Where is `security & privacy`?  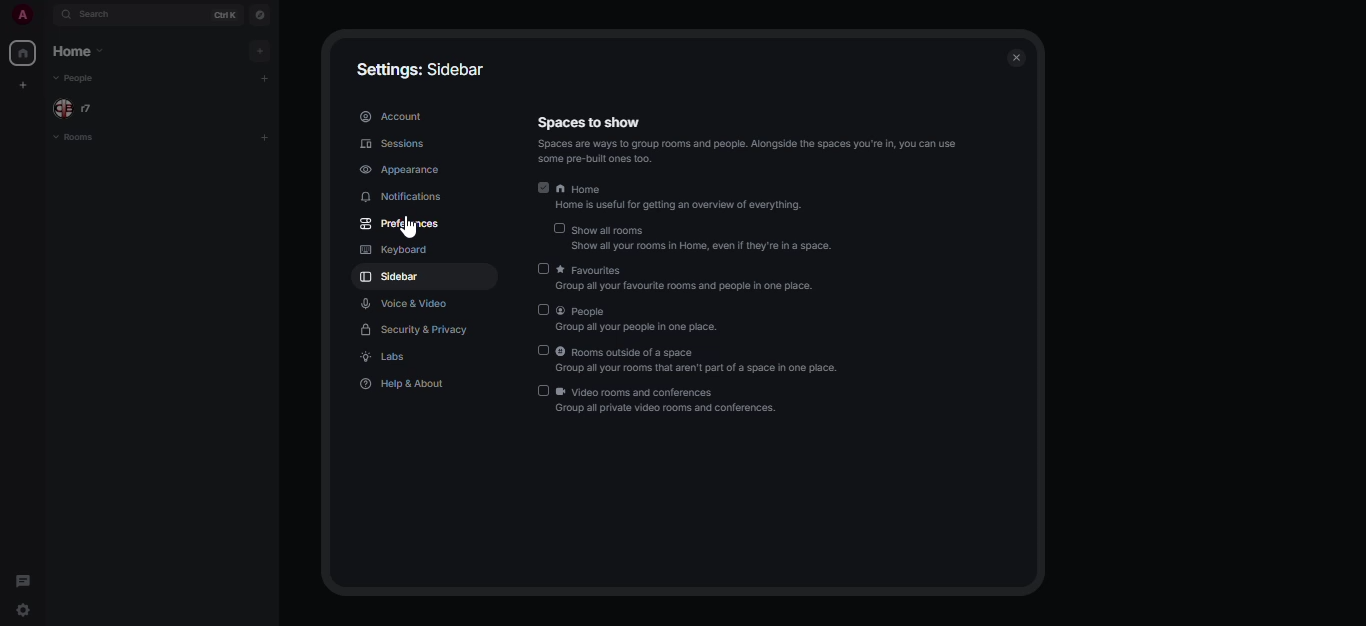
security & privacy is located at coordinates (419, 329).